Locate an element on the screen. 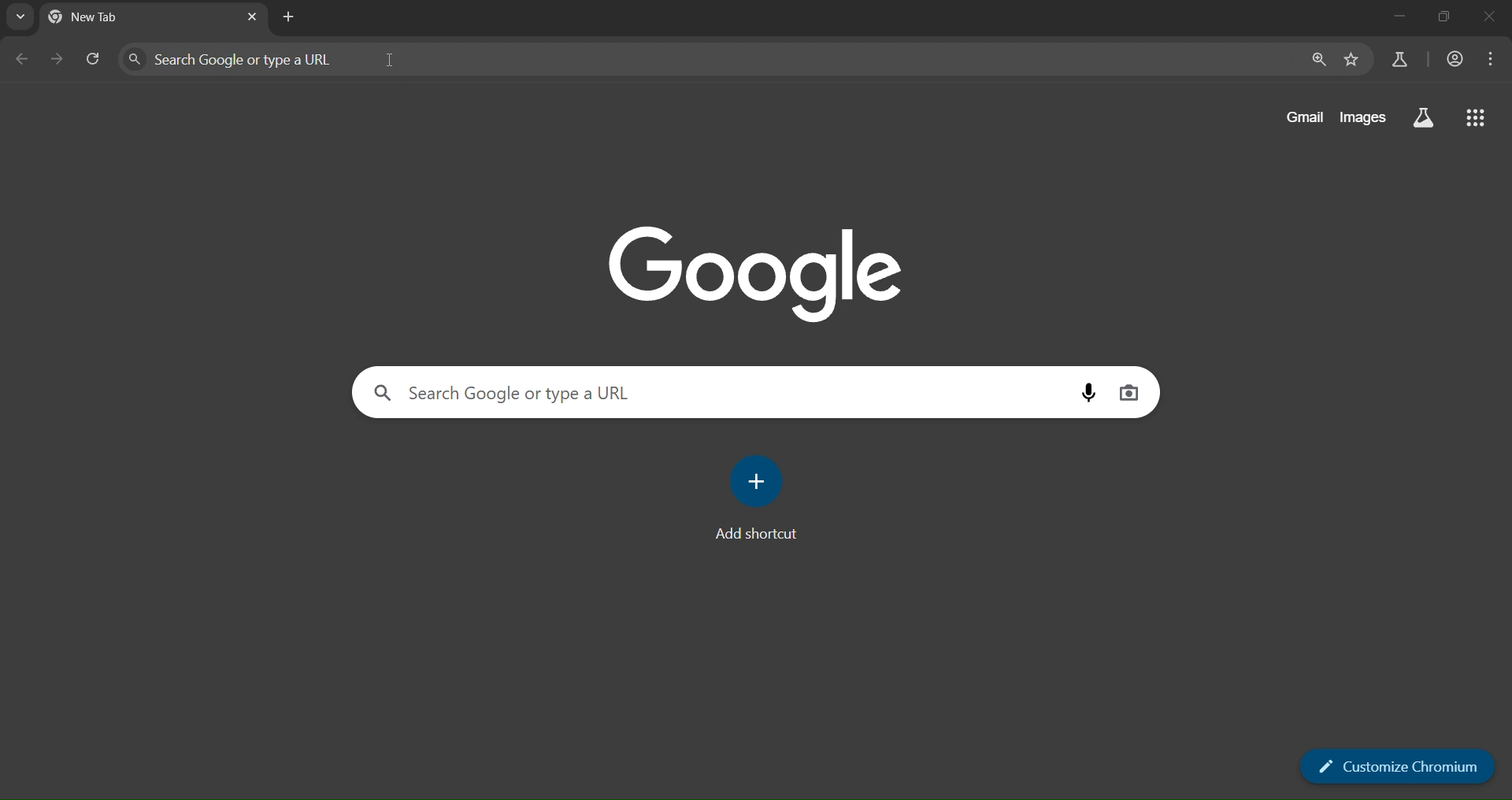  new tab is located at coordinates (289, 17).